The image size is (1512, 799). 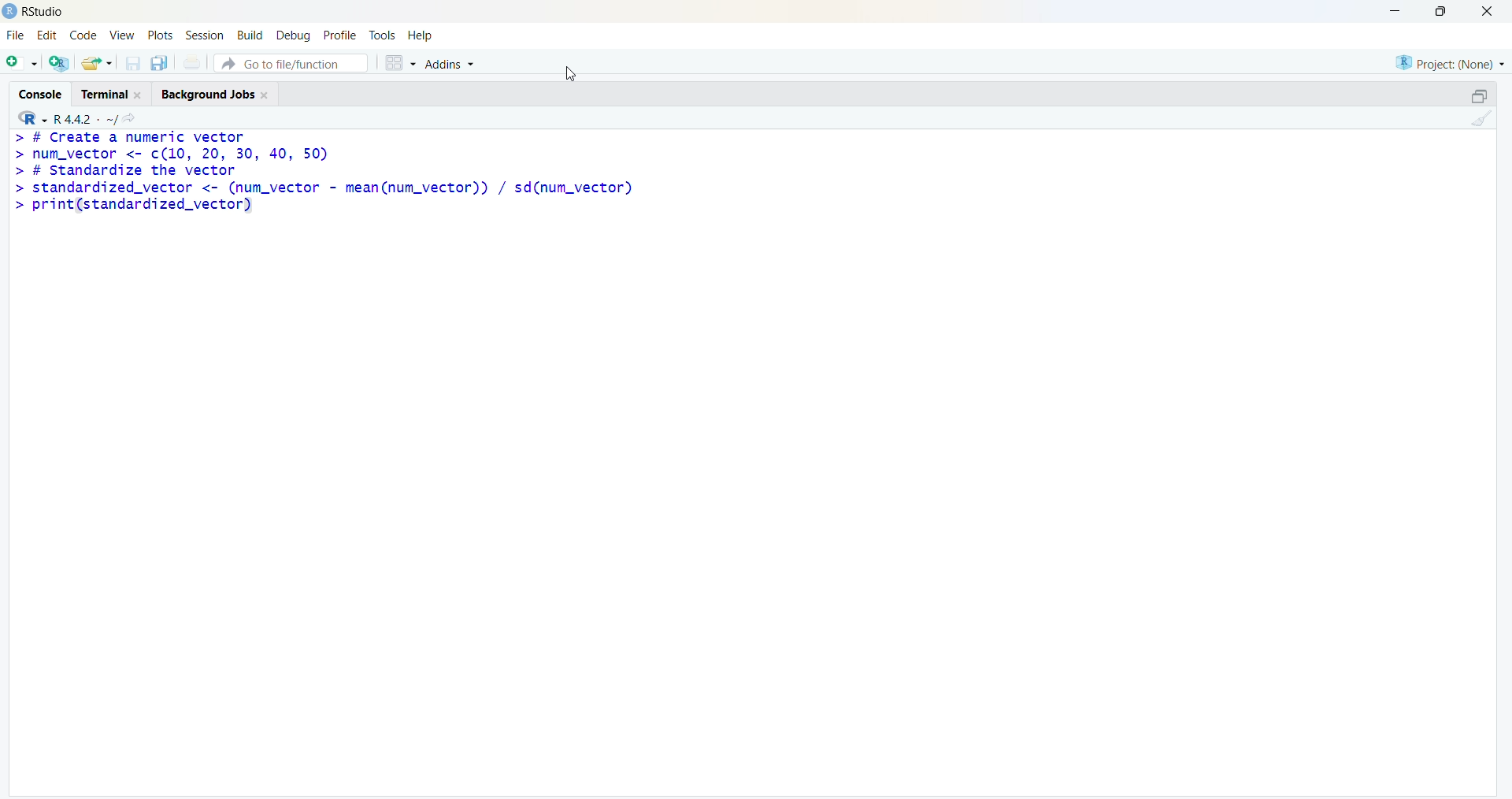 What do you see at coordinates (24, 63) in the screenshot?
I see `add file as` at bounding box center [24, 63].